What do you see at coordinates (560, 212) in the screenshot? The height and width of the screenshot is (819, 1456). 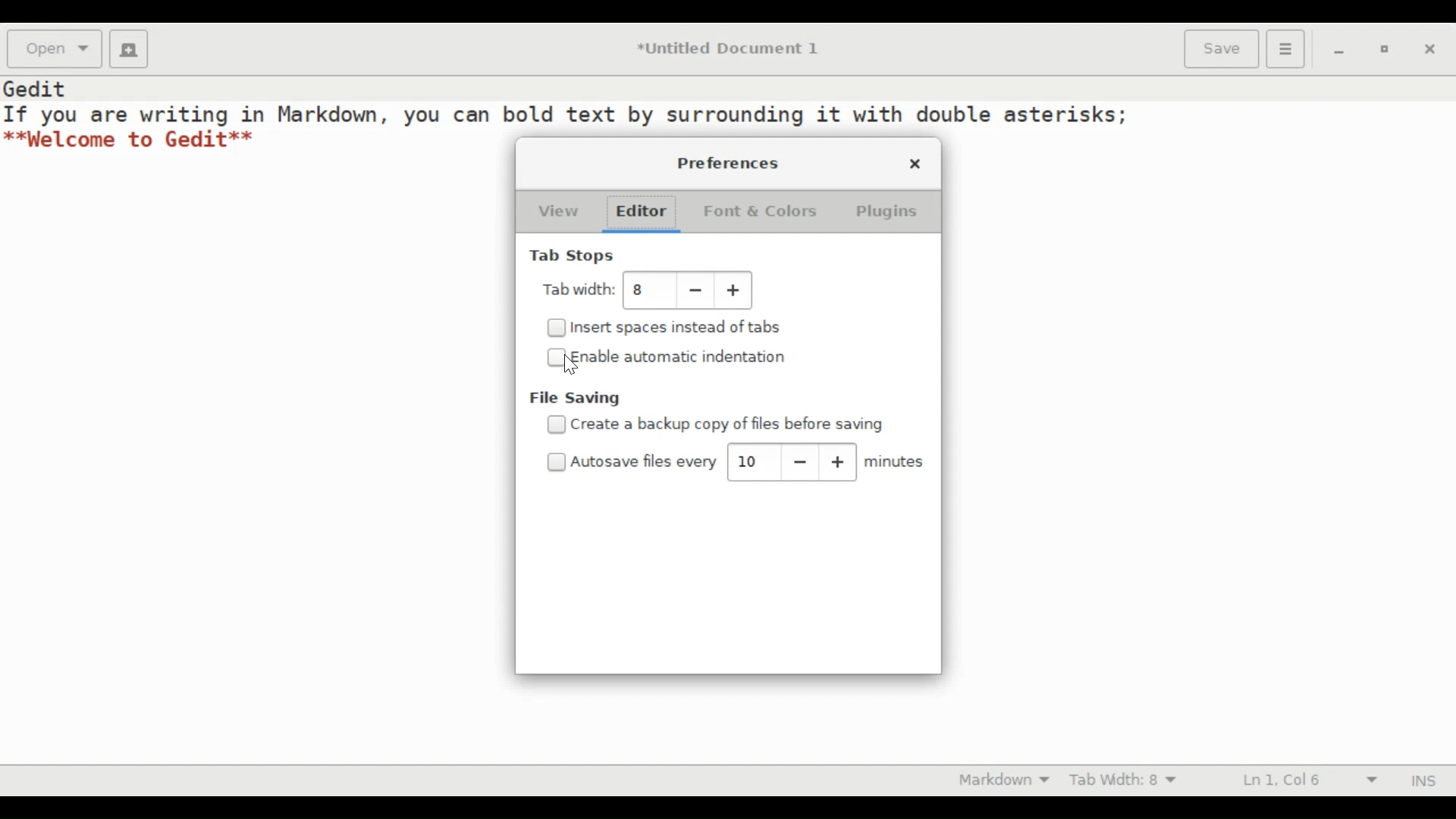 I see `View` at bounding box center [560, 212].